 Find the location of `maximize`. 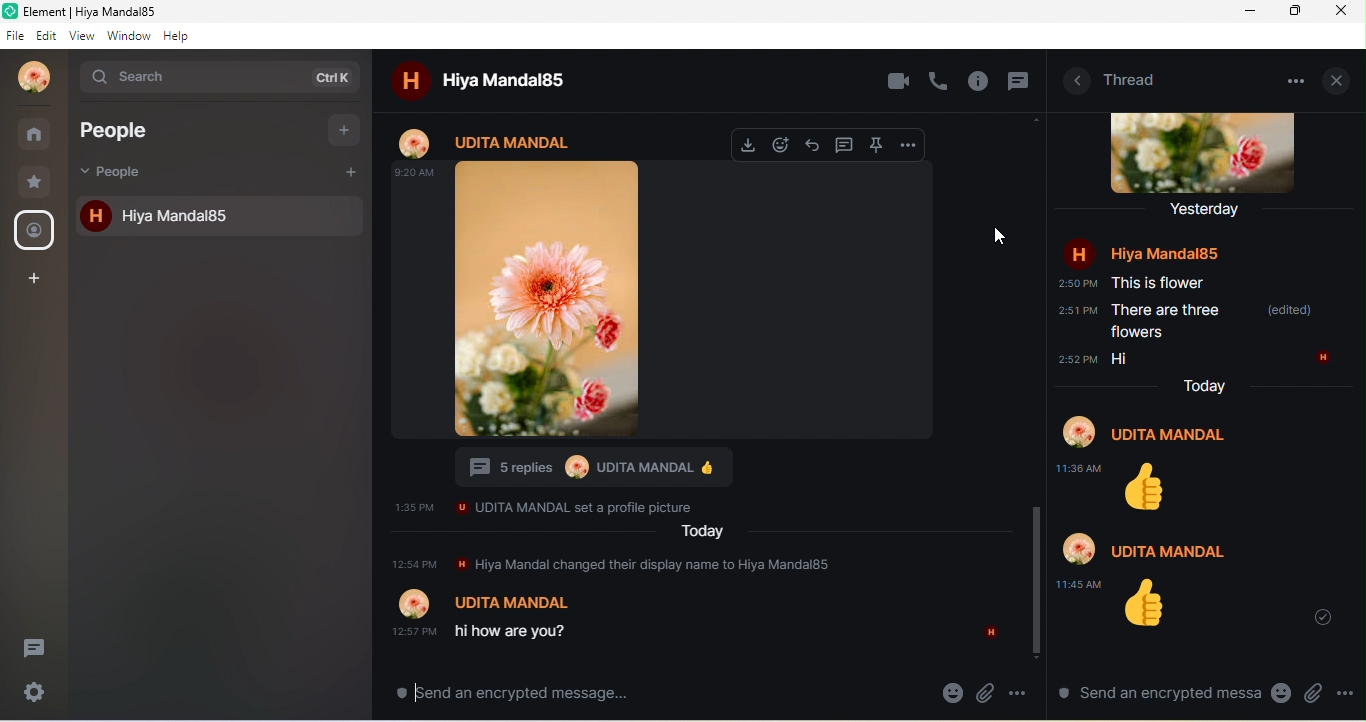

maximize is located at coordinates (1290, 11).